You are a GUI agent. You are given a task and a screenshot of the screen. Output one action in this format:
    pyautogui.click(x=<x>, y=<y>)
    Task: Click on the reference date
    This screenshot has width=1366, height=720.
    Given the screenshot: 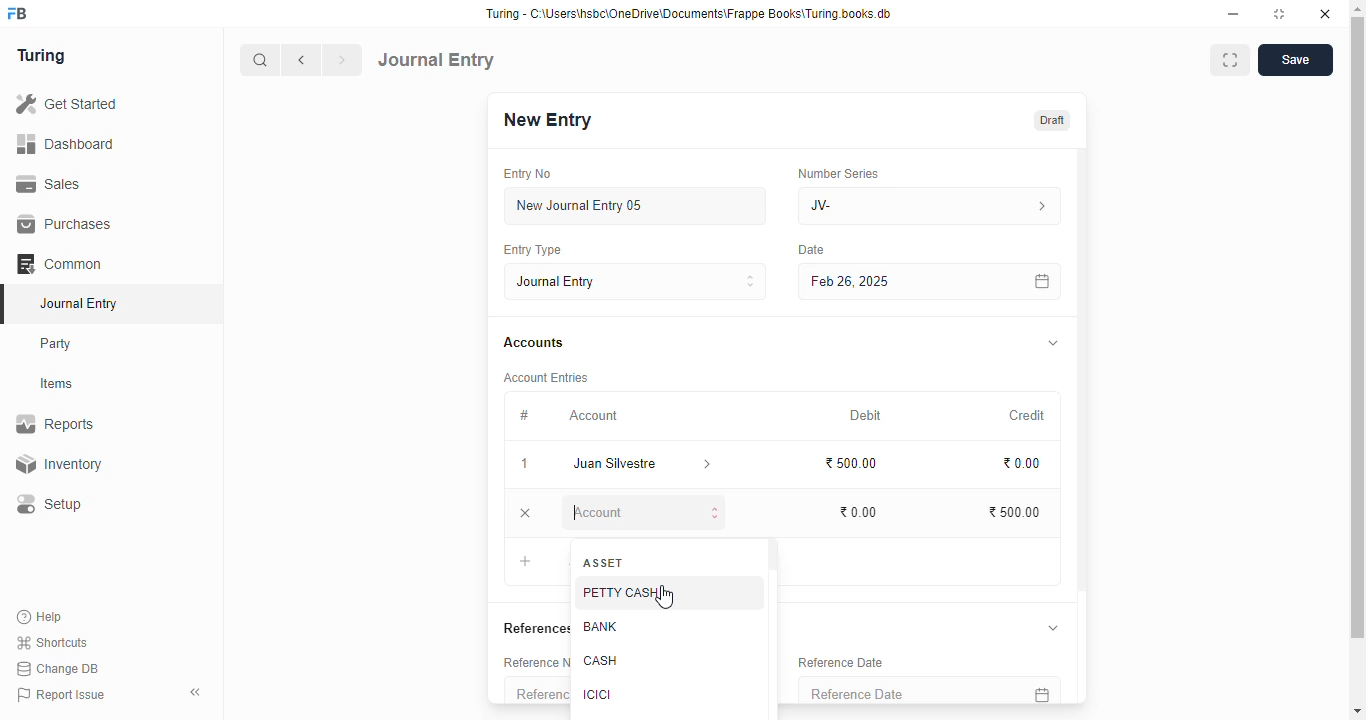 What is the action you would take?
    pyautogui.click(x=898, y=691)
    